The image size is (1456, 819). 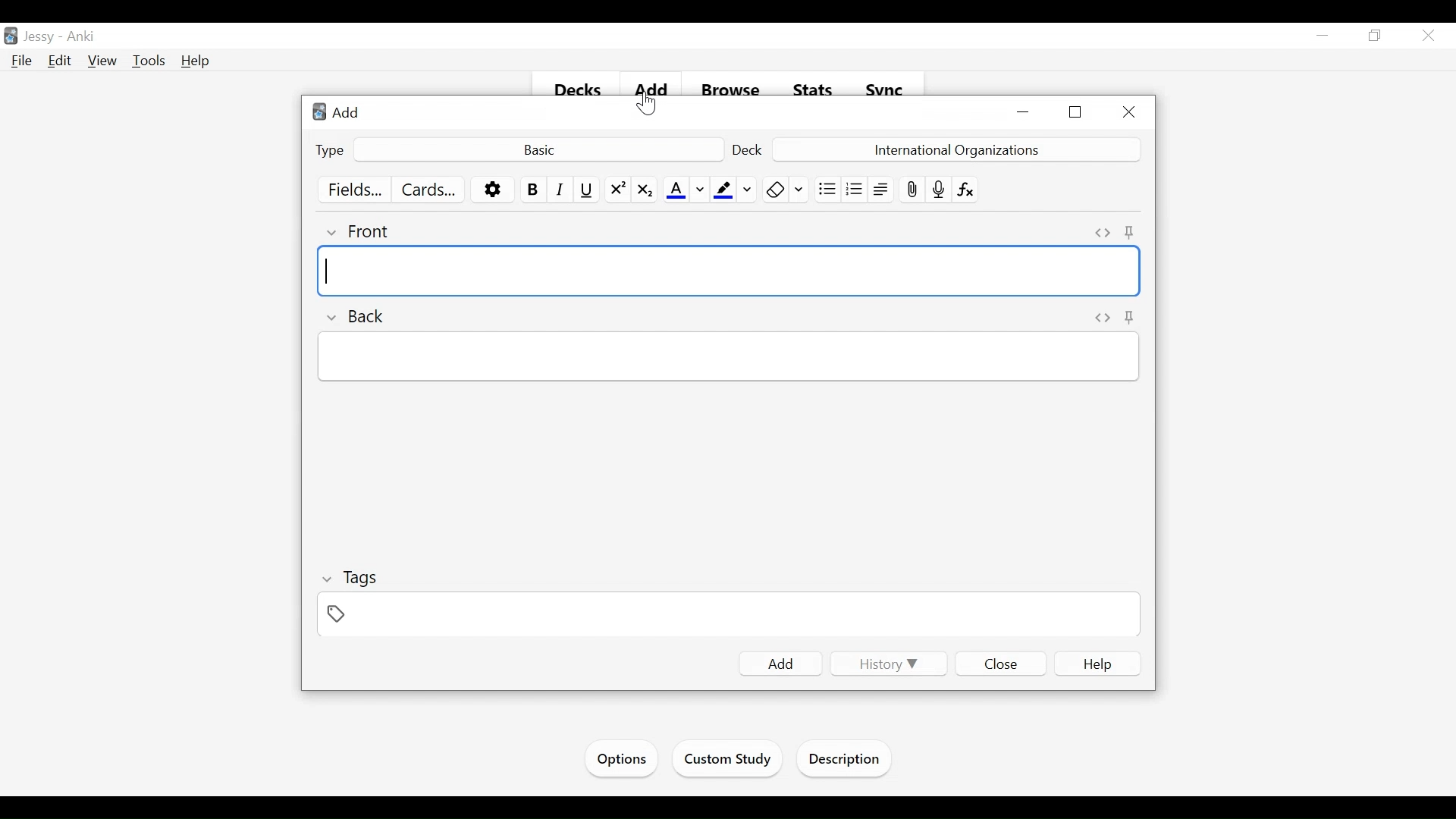 I want to click on Svnc, so click(x=880, y=86).